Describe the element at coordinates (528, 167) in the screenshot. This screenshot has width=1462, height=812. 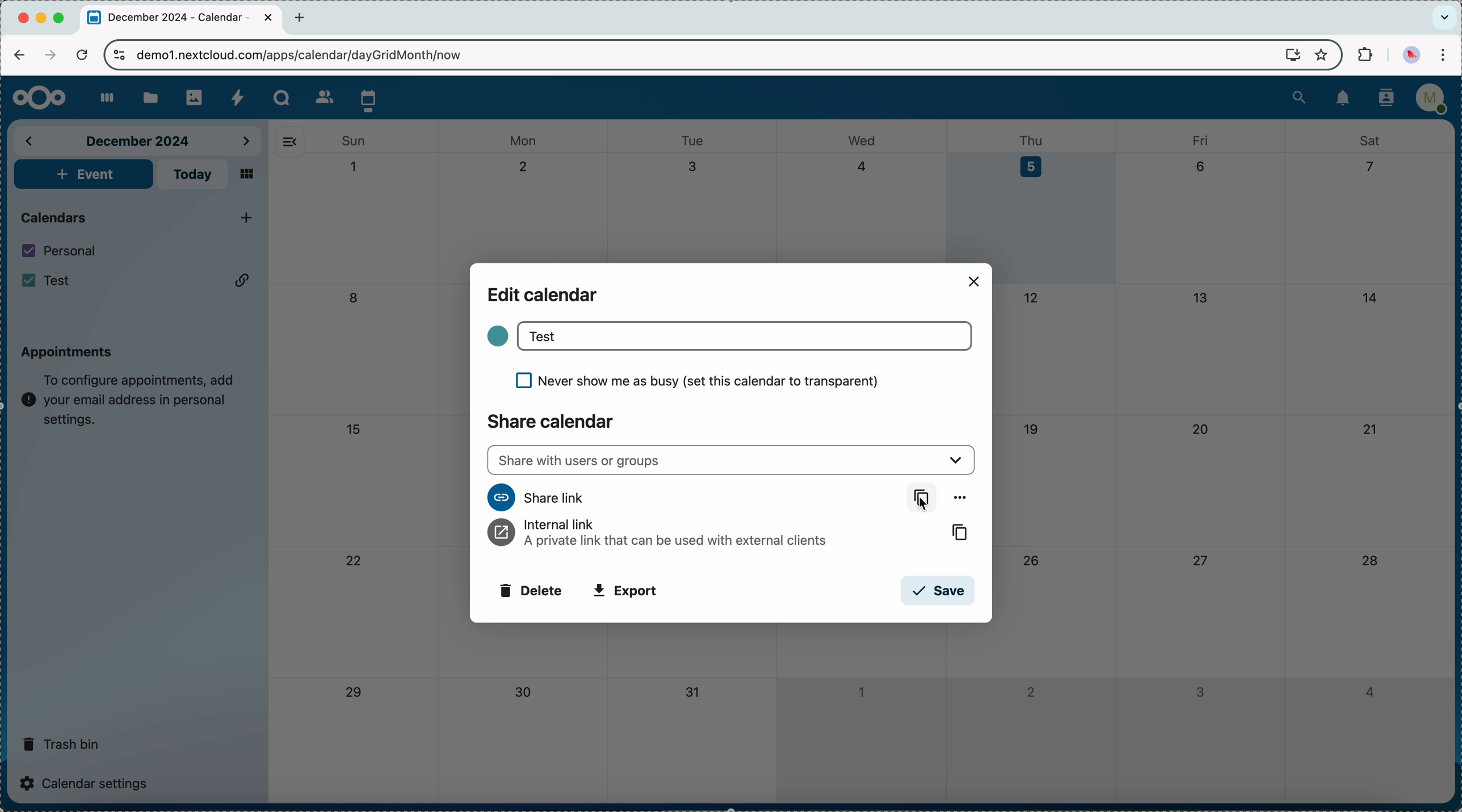
I see `2` at that location.